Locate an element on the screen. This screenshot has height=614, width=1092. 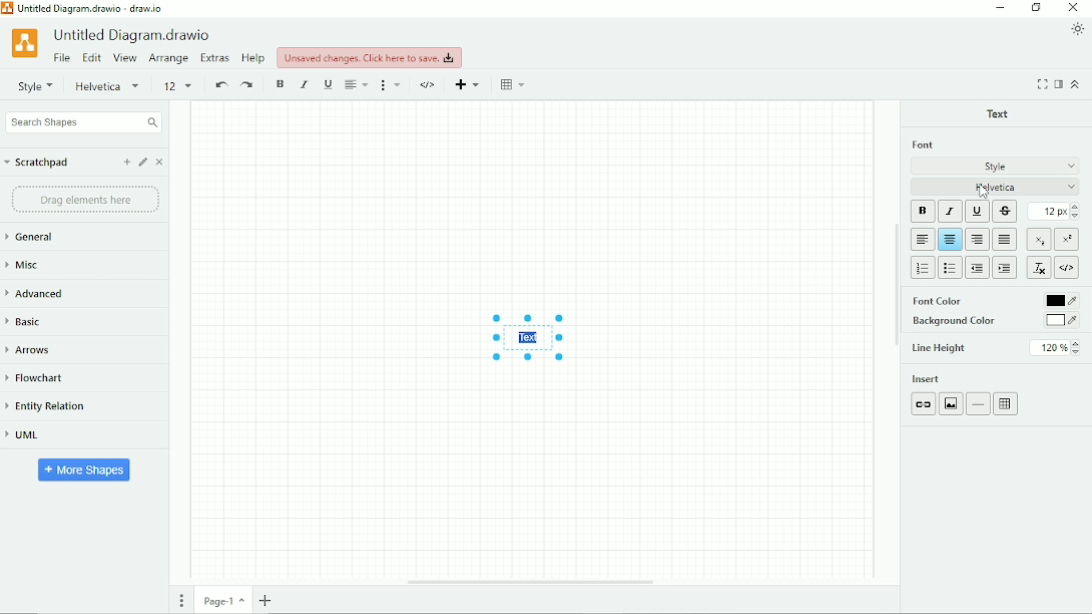
Close is located at coordinates (161, 162).